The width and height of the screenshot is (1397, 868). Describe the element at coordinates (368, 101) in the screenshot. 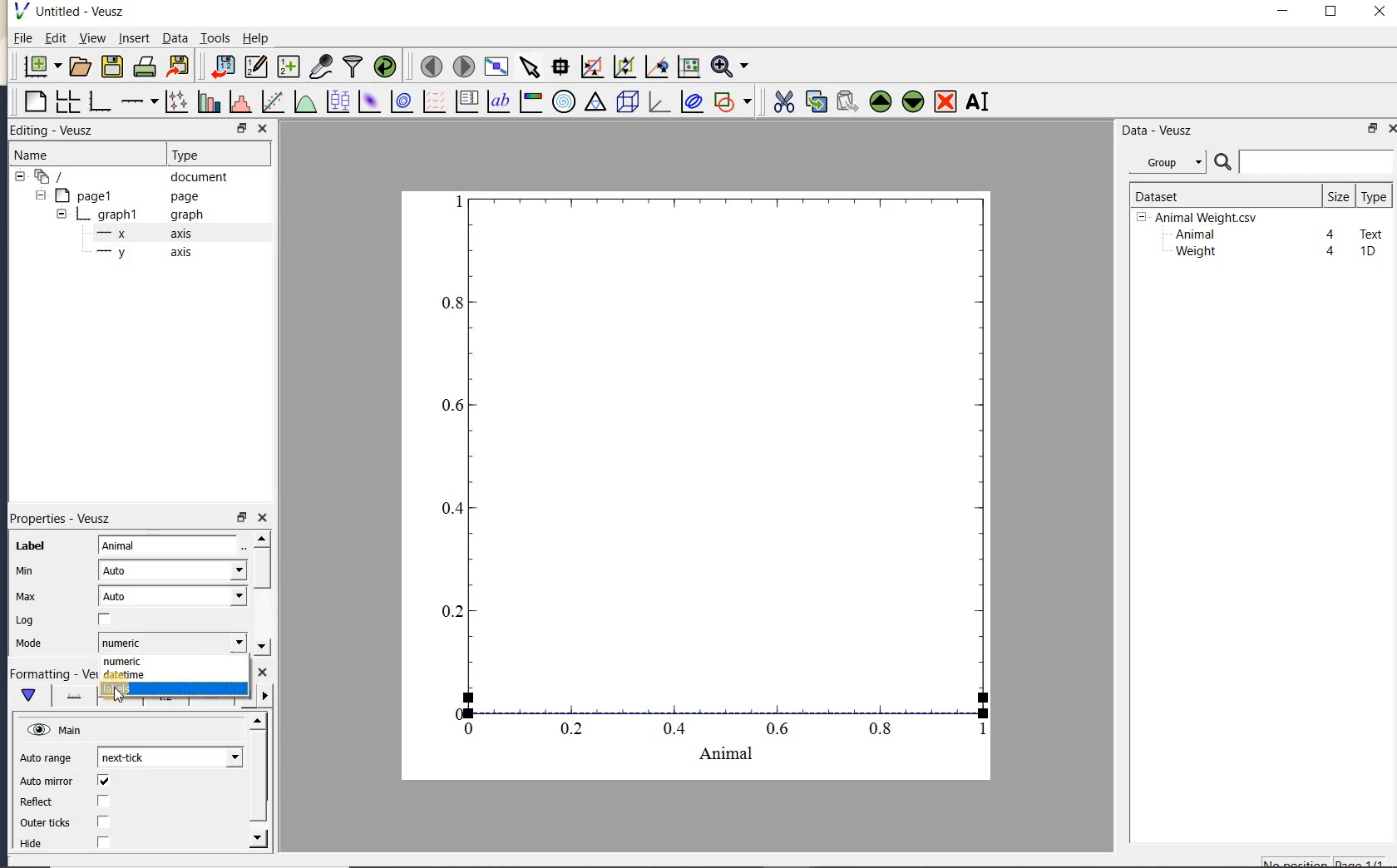

I see `plot a 2d dataset as an image` at that location.